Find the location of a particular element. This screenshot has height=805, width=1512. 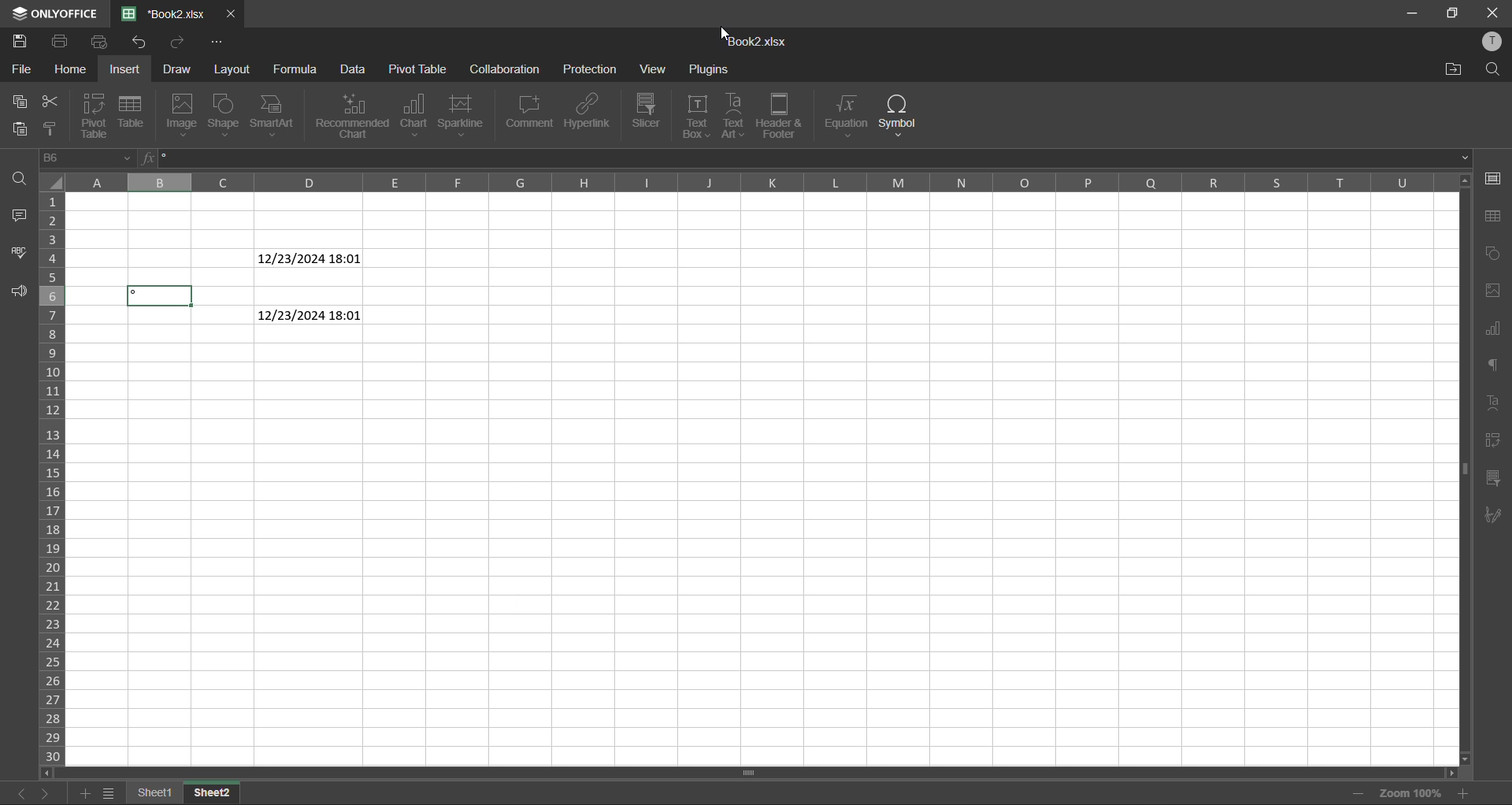

sheet 1 is located at coordinates (157, 793).